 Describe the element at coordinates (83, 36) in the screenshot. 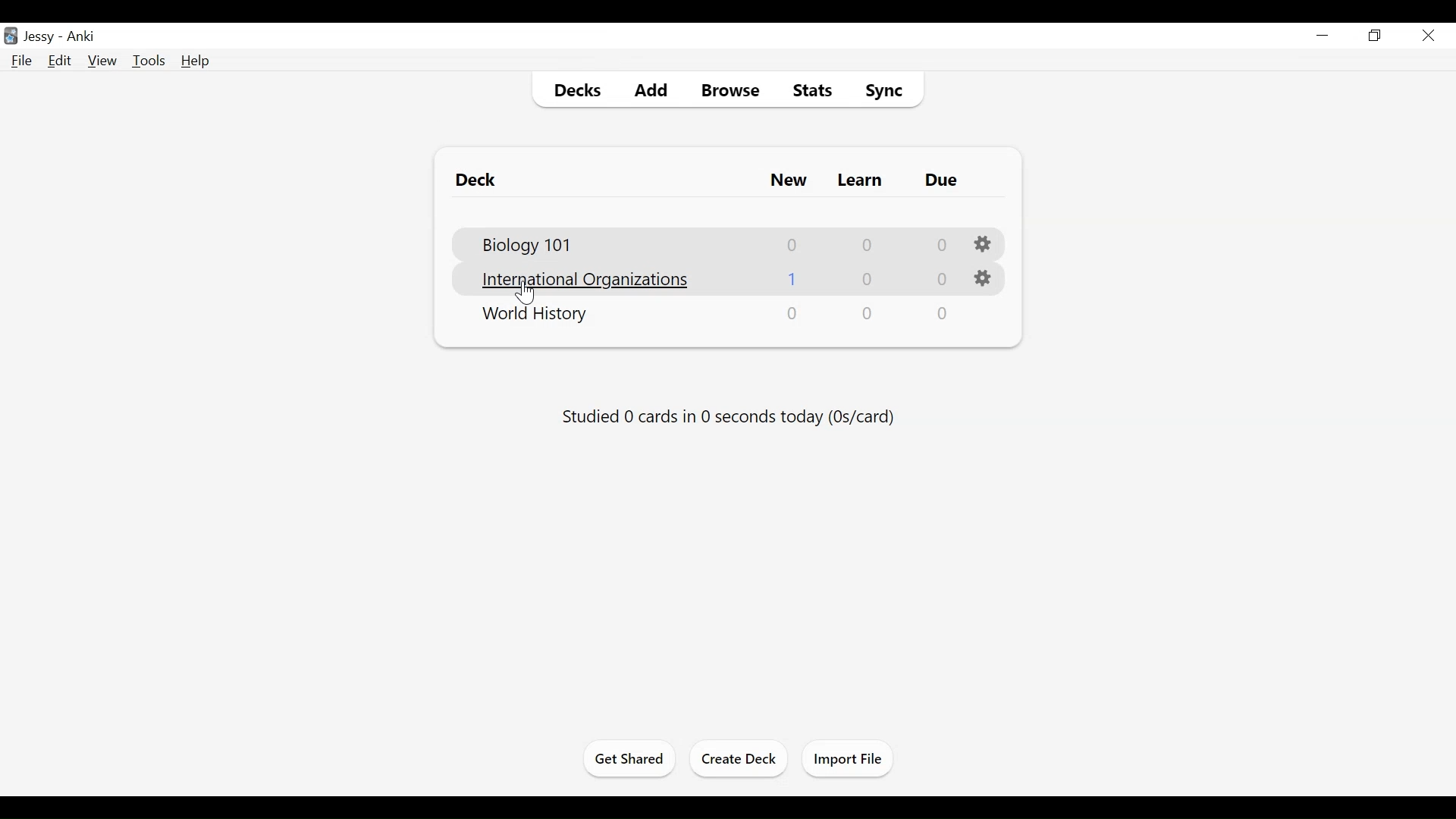

I see `Anki` at that location.